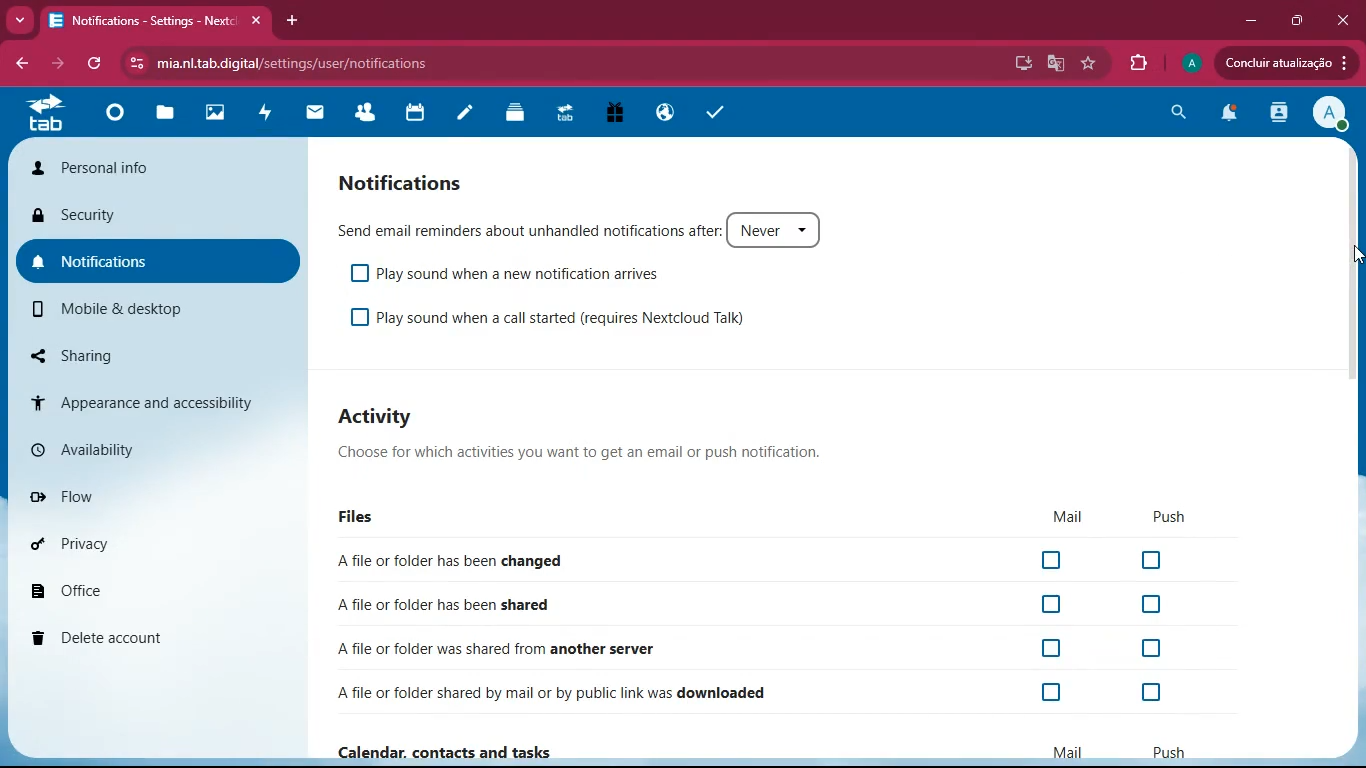 Image resolution: width=1366 pixels, height=768 pixels. What do you see at coordinates (470, 115) in the screenshot?
I see `notes` at bounding box center [470, 115].